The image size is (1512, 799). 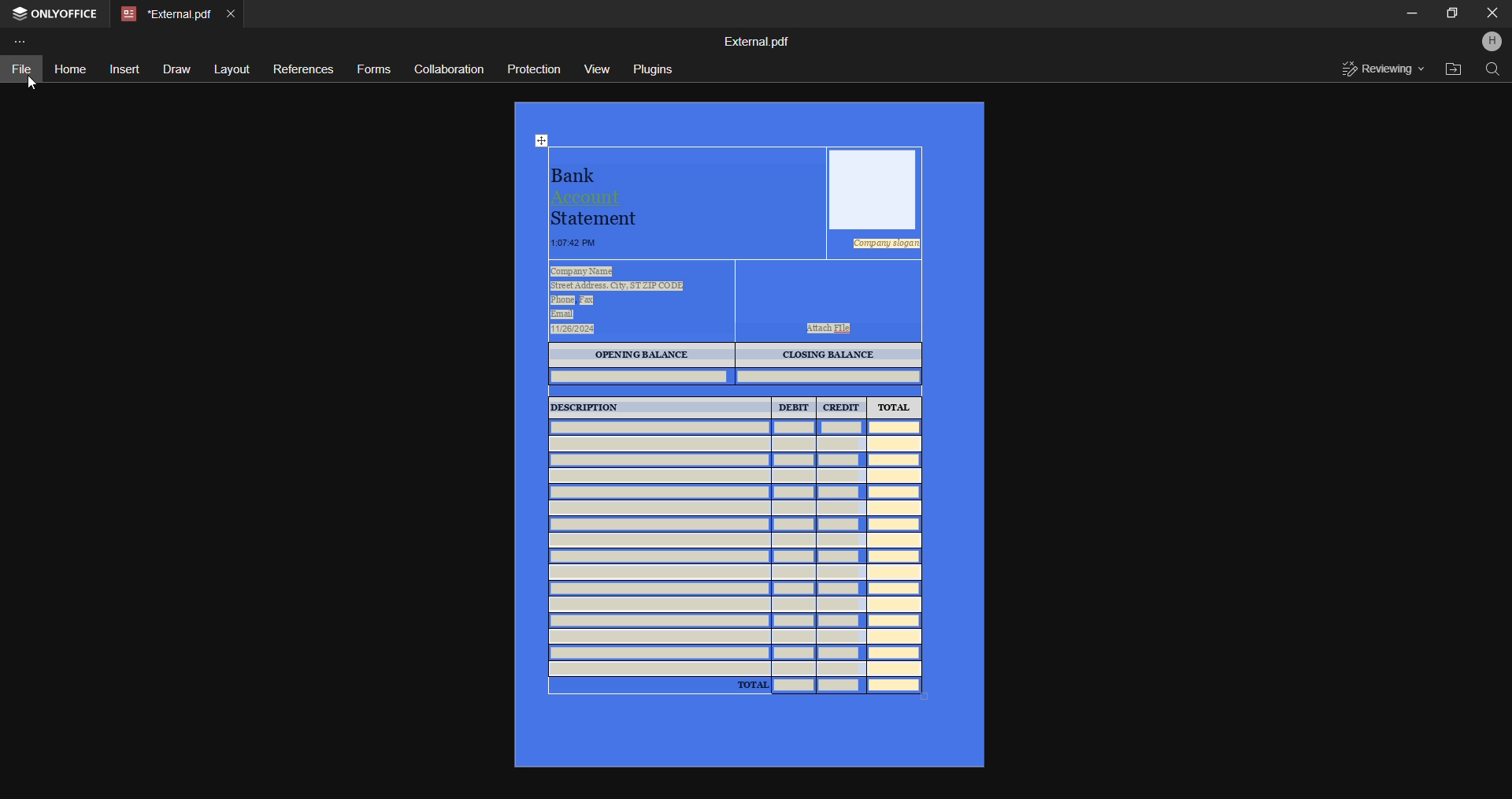 What do you see at coordinates (1412, 13) in the screenshot?
I see `Mimize` at bounding box center [1412, 13].